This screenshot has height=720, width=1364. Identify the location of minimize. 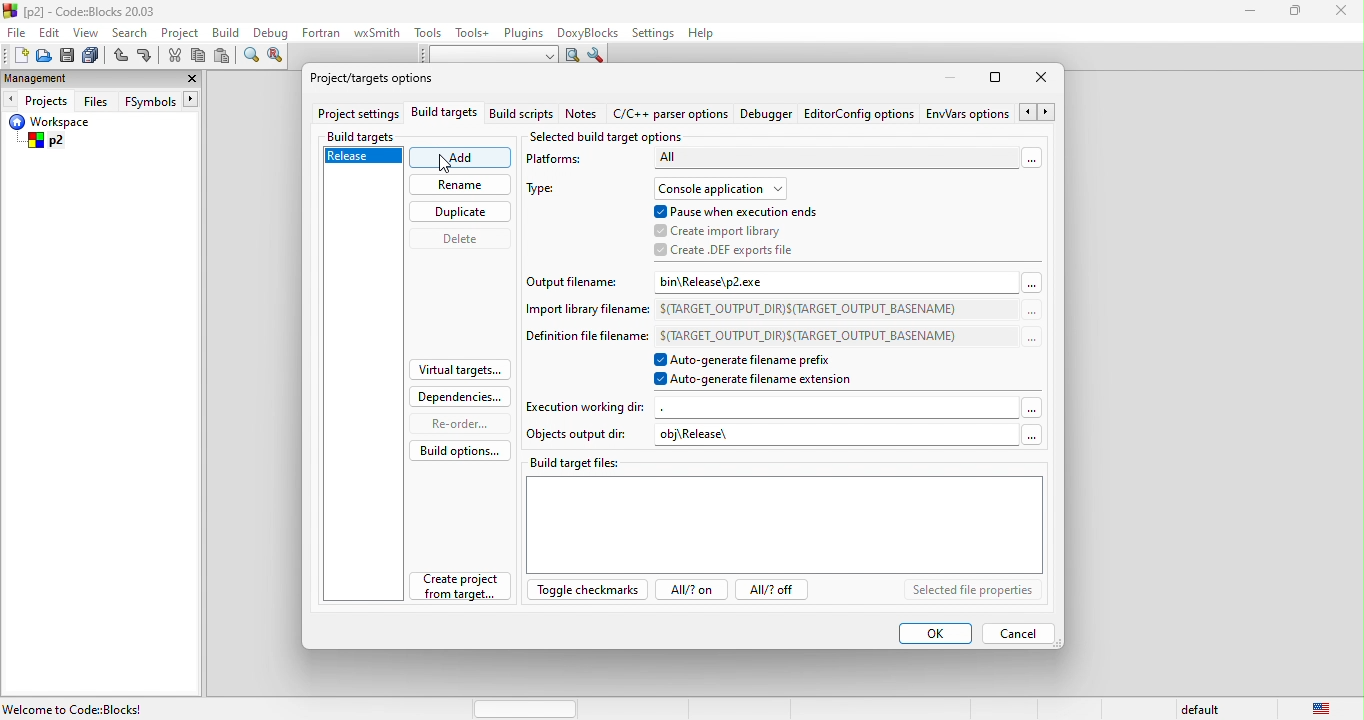
(950, 78).